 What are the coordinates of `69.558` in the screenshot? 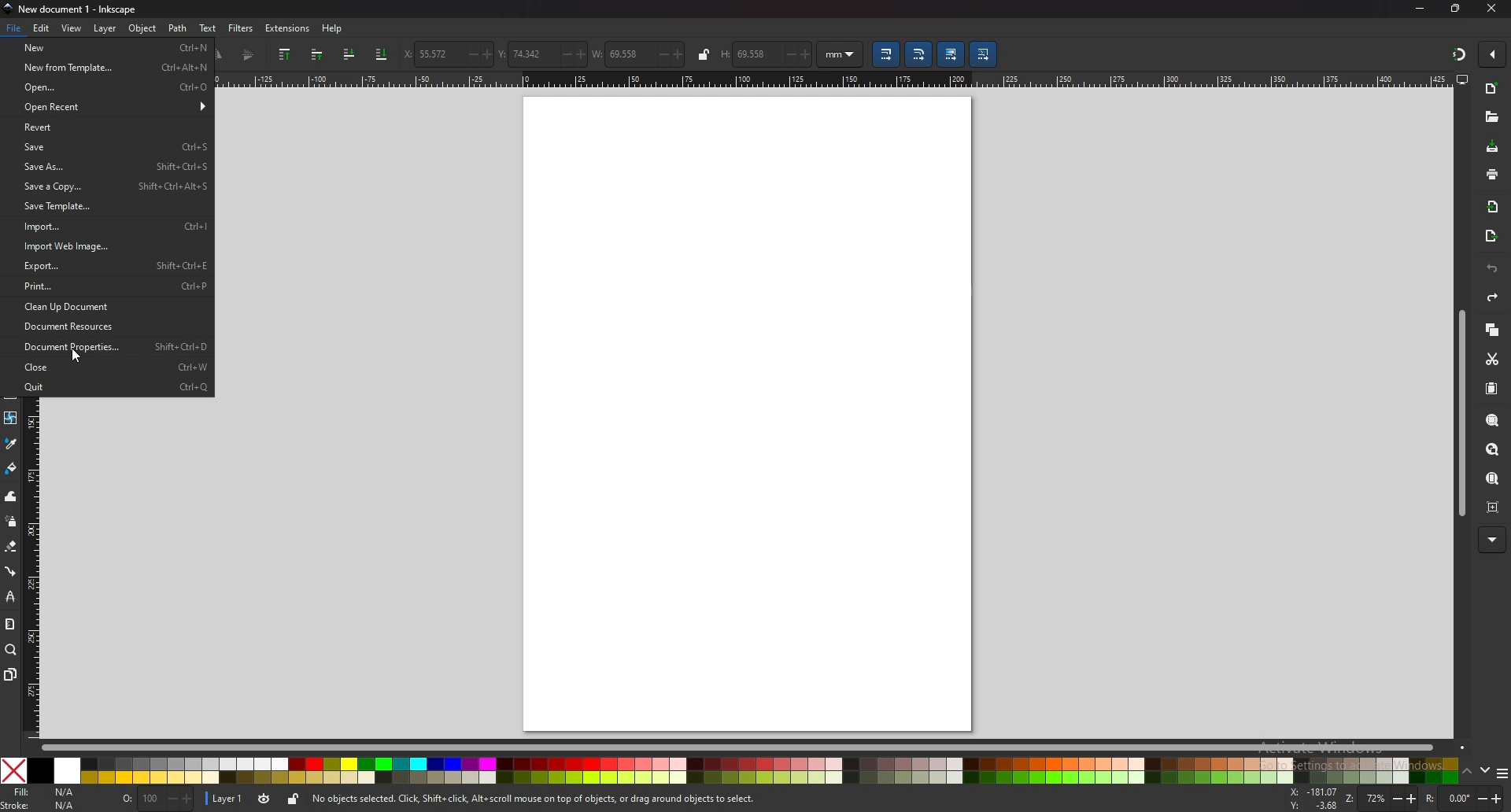 It's located at (755, 55).